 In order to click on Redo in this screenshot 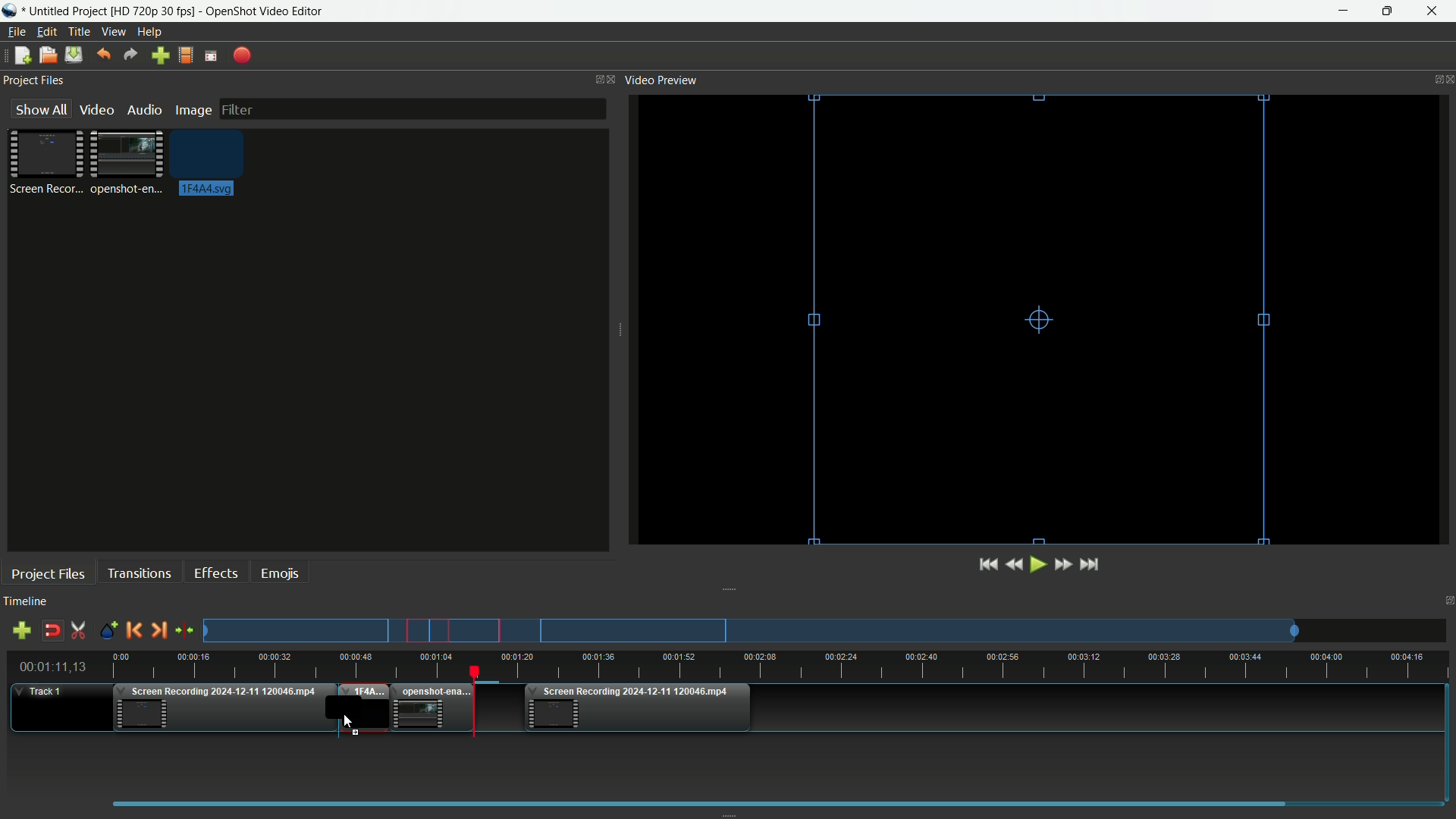, I will do `click(130, 55)`.